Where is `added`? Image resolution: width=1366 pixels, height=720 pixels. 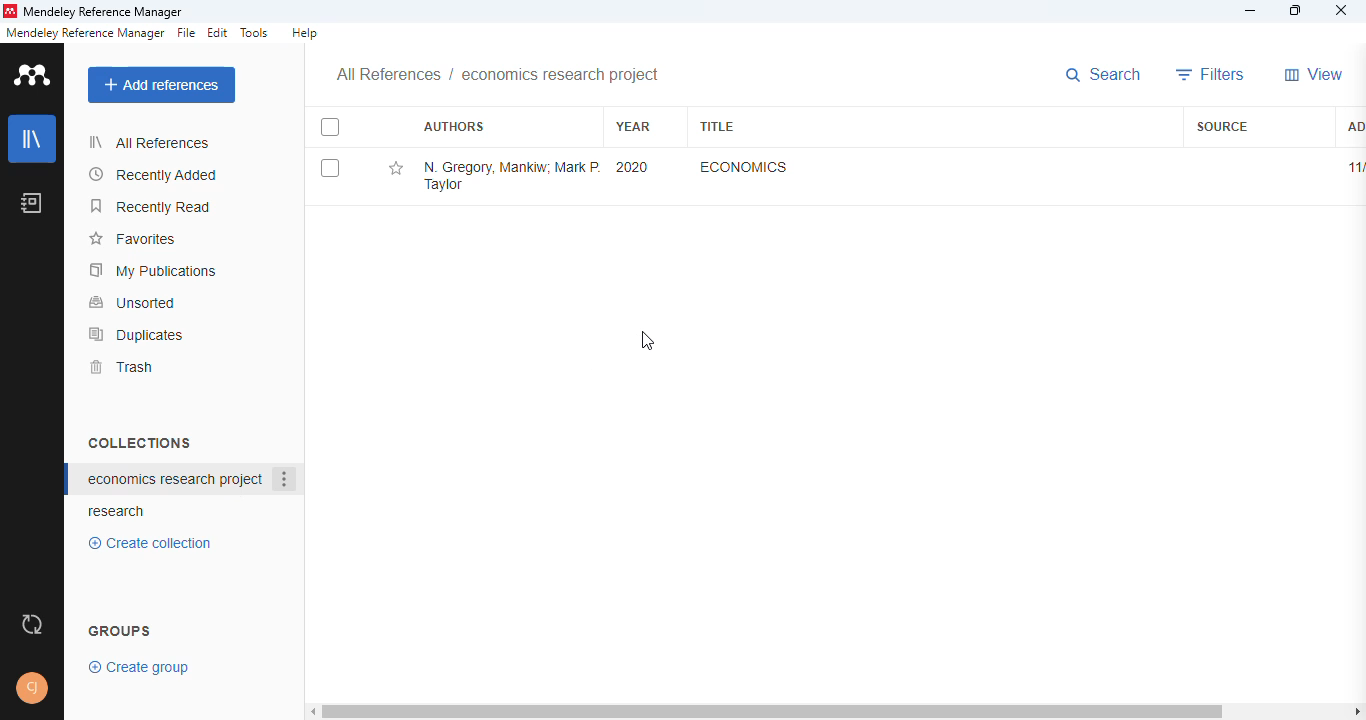 added is located at coordinates (1354, 128).